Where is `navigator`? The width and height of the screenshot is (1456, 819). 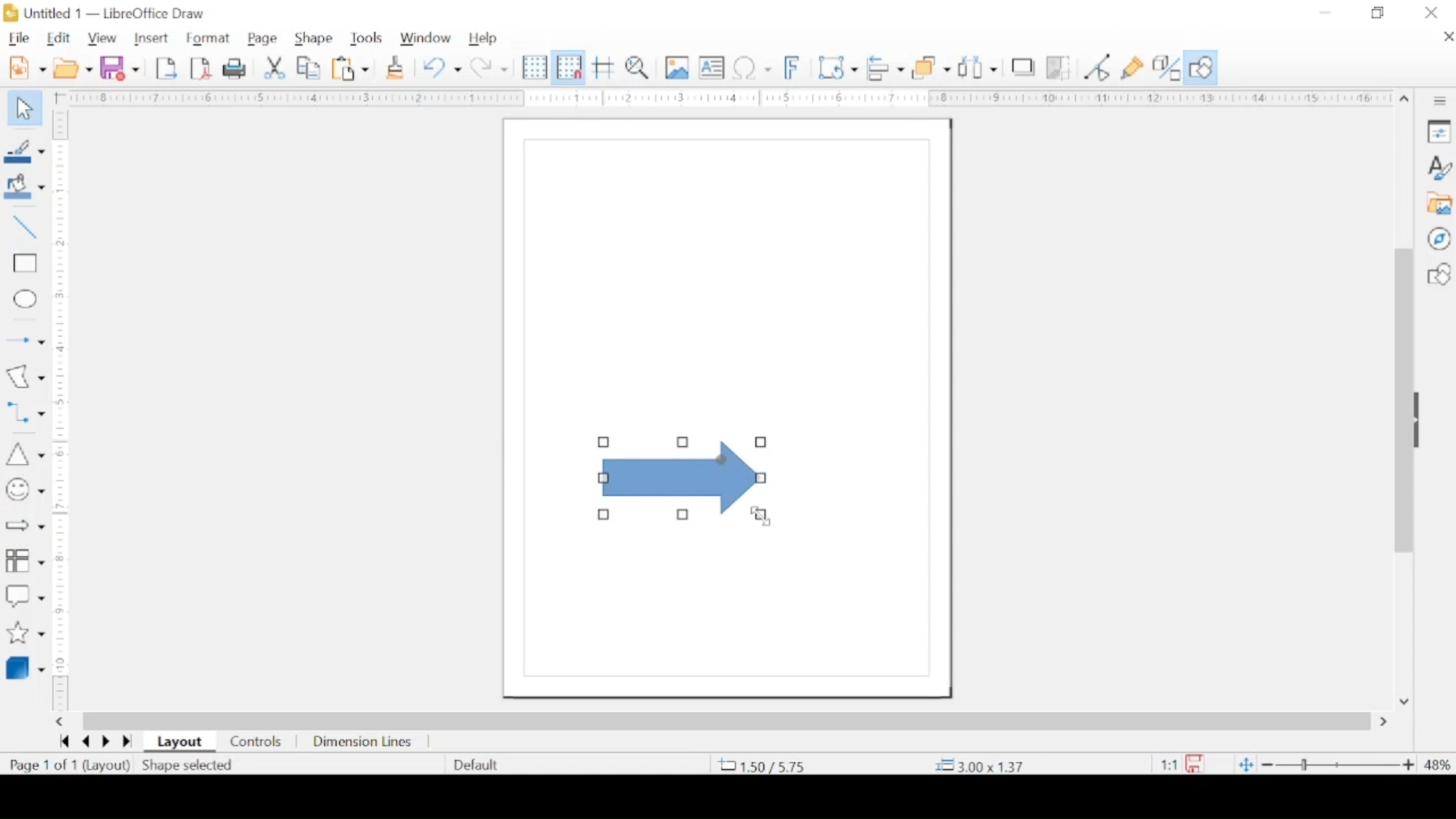
navigator is located at coordinates (1439, 238).